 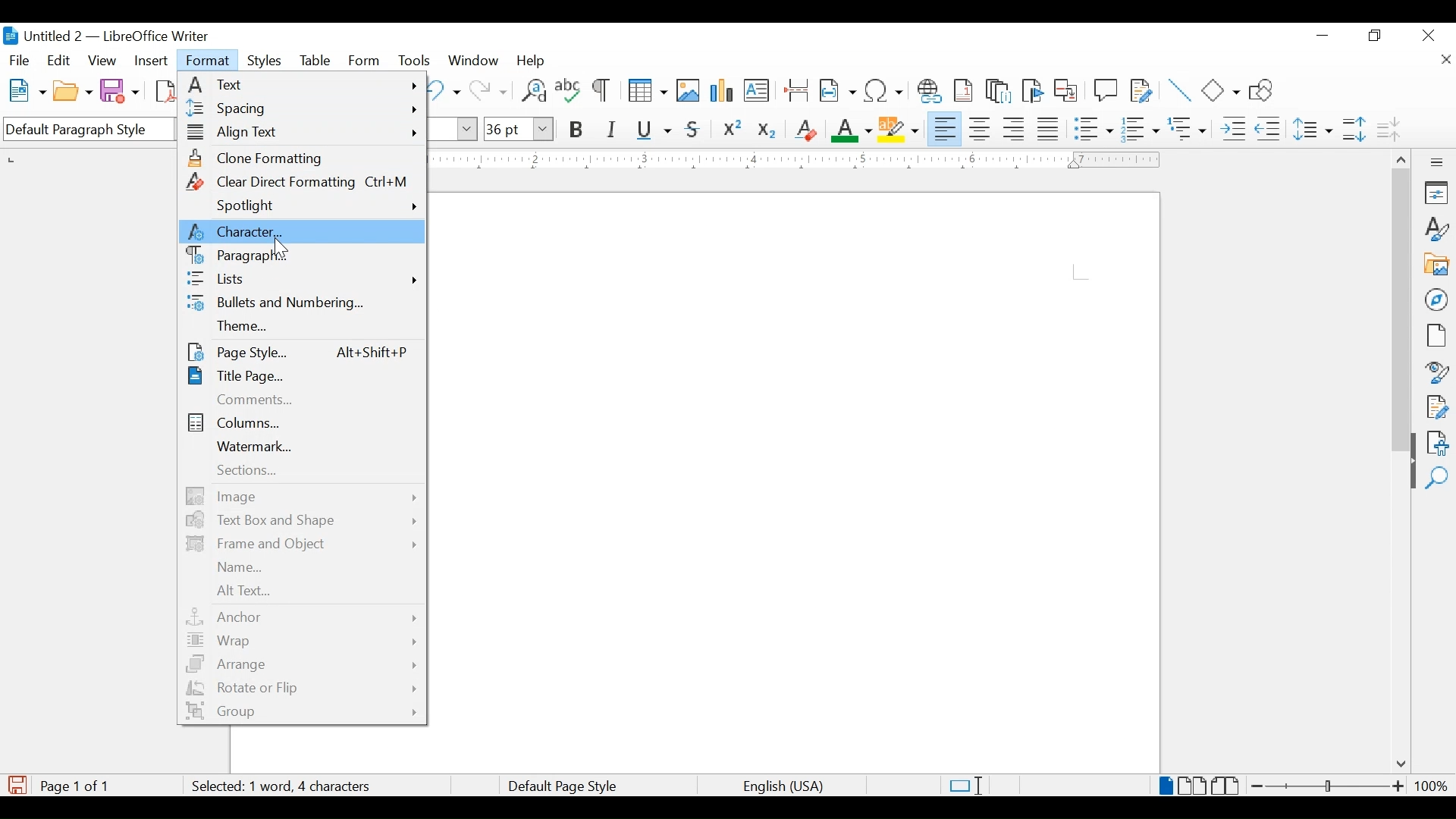 I want to click on styles, so click(x=1438, y=229).